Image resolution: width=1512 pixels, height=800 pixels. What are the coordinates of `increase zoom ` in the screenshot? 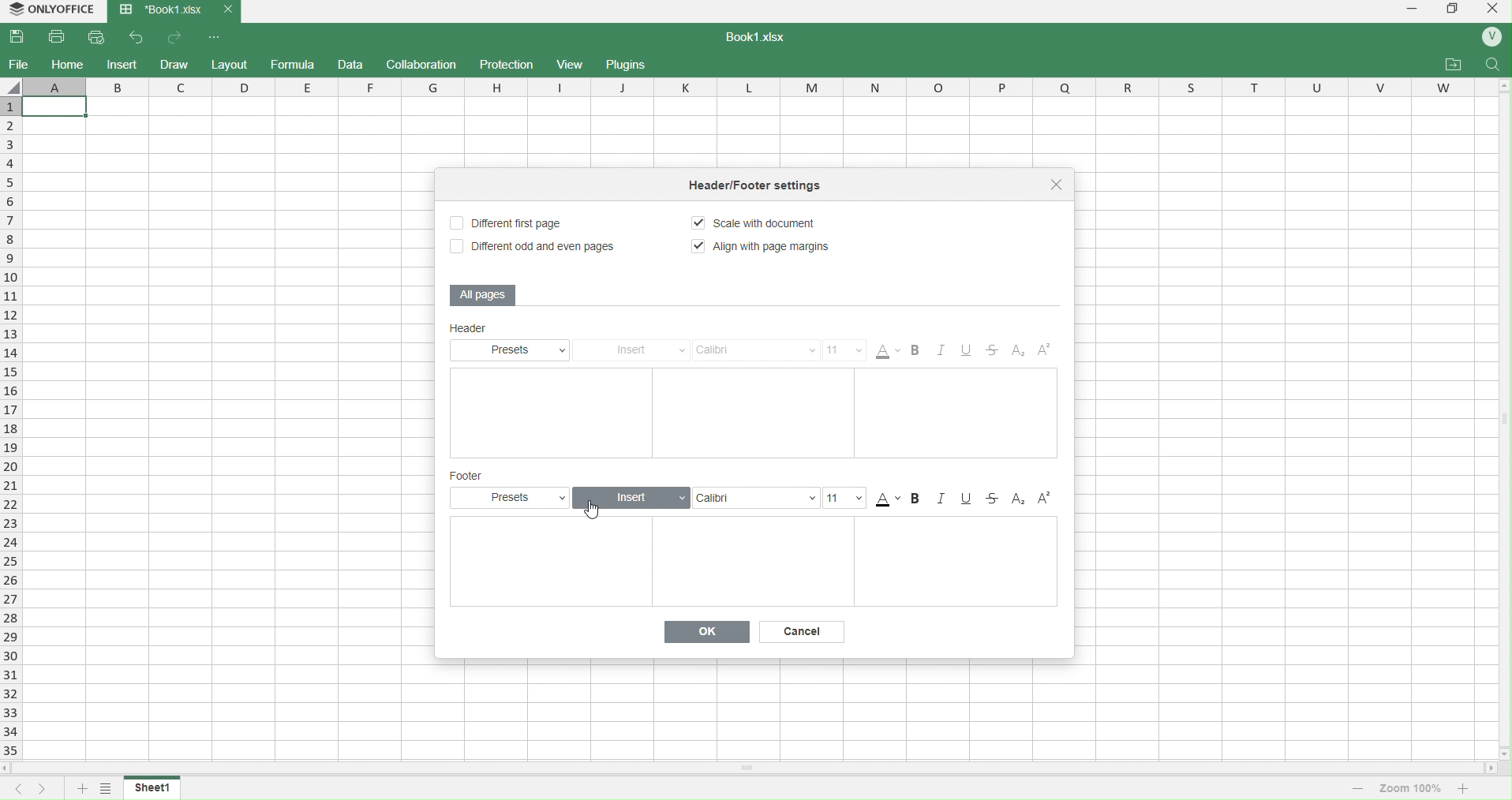 It's located at (1466, 787).